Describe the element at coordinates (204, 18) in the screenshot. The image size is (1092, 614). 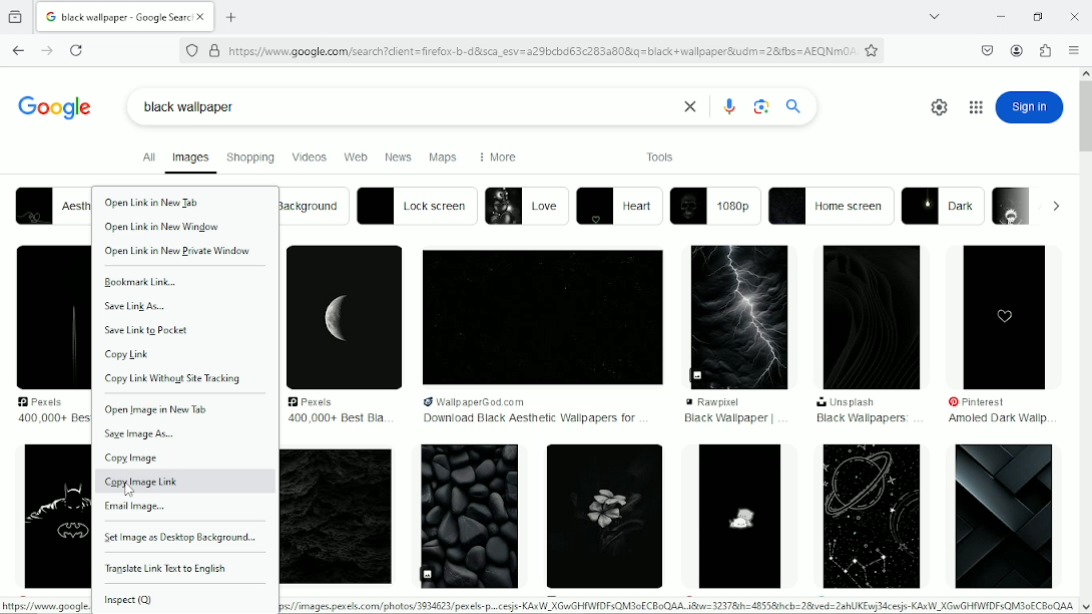
I see `close` at that location.